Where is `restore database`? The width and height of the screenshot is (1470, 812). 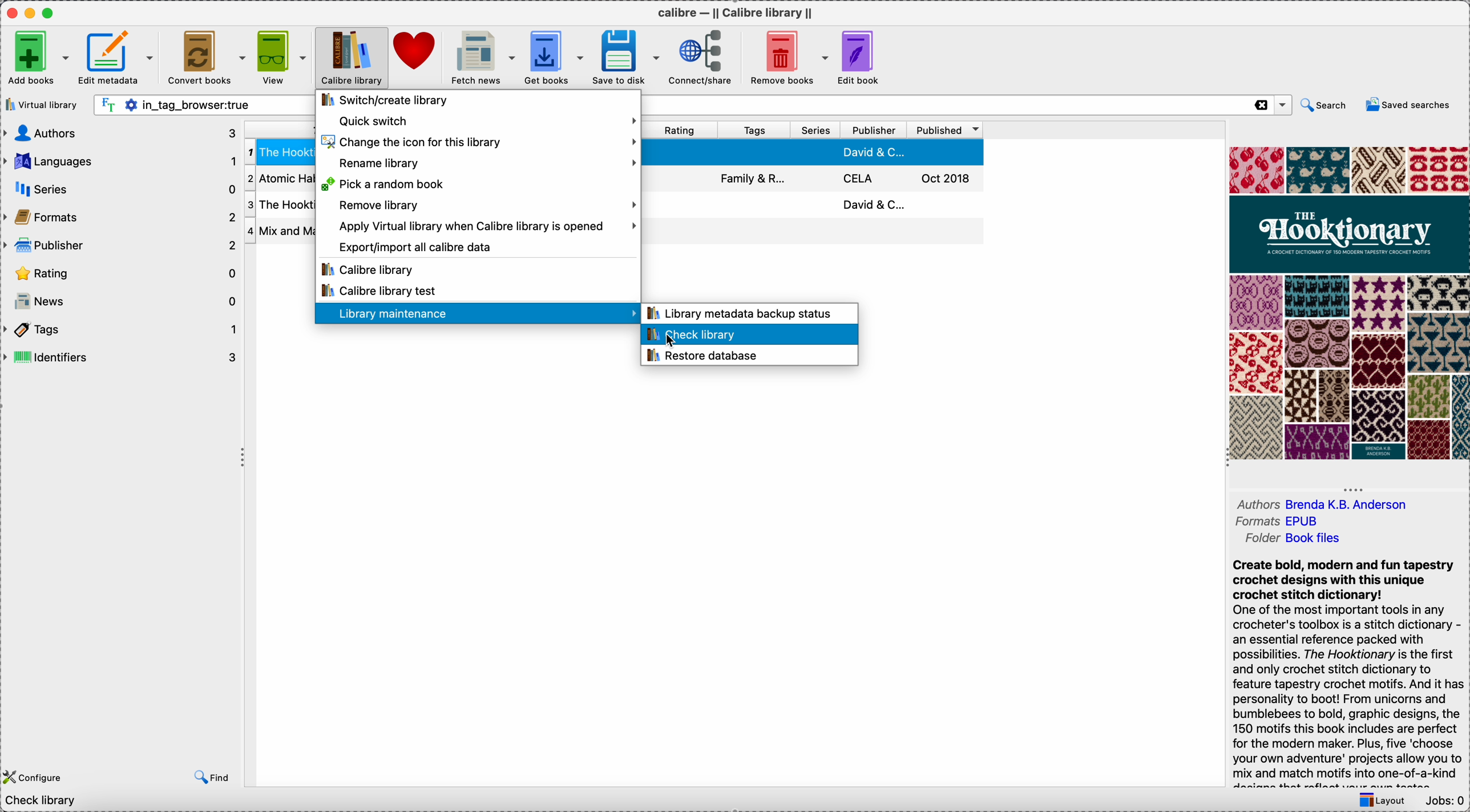 restore database is located at coordinates (705, 357).